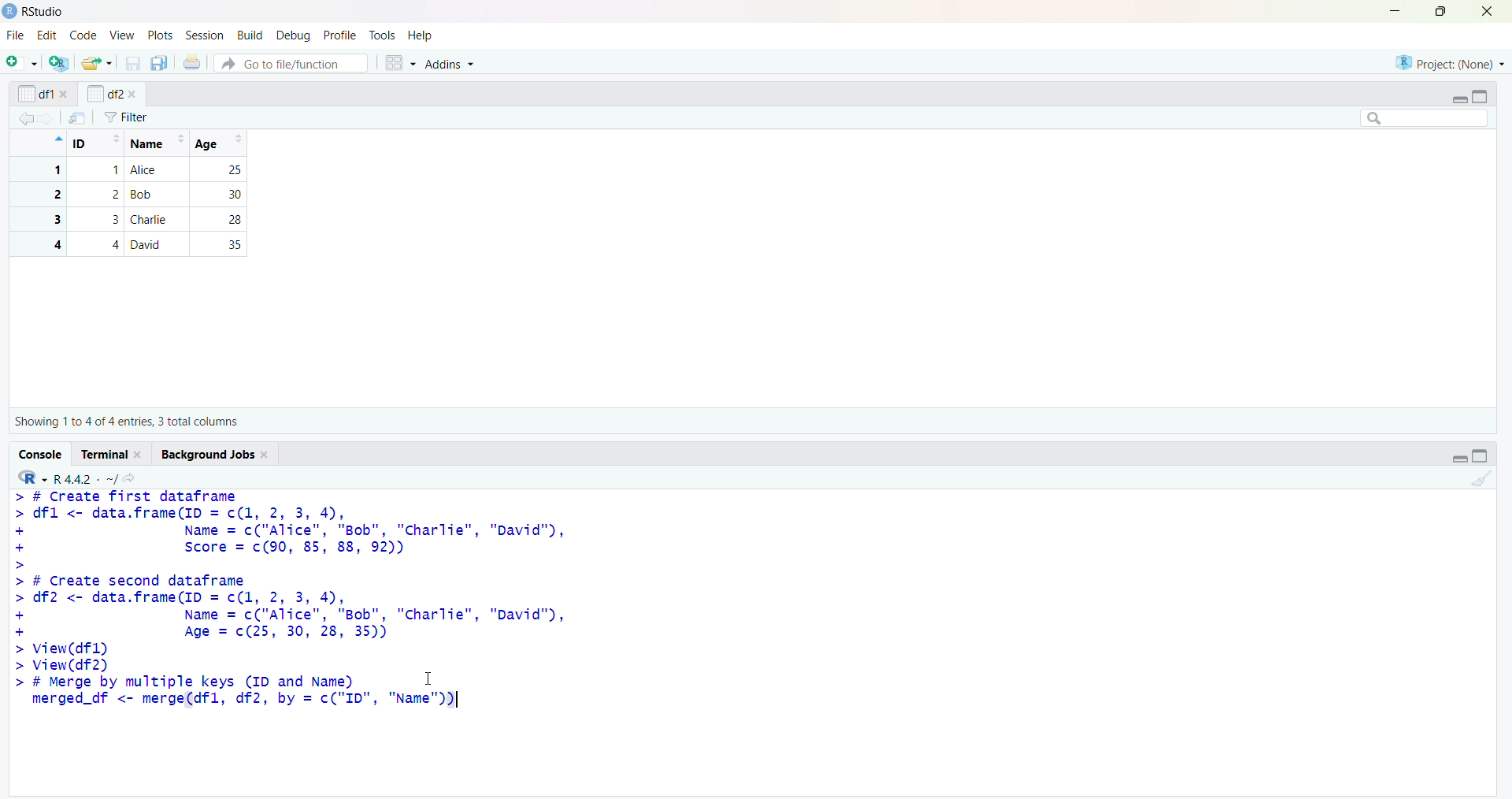 Image resolution: width=1512 pixels, height=799 pixels. I want to click on R 4.4.2  ~/, so click(85, 479).